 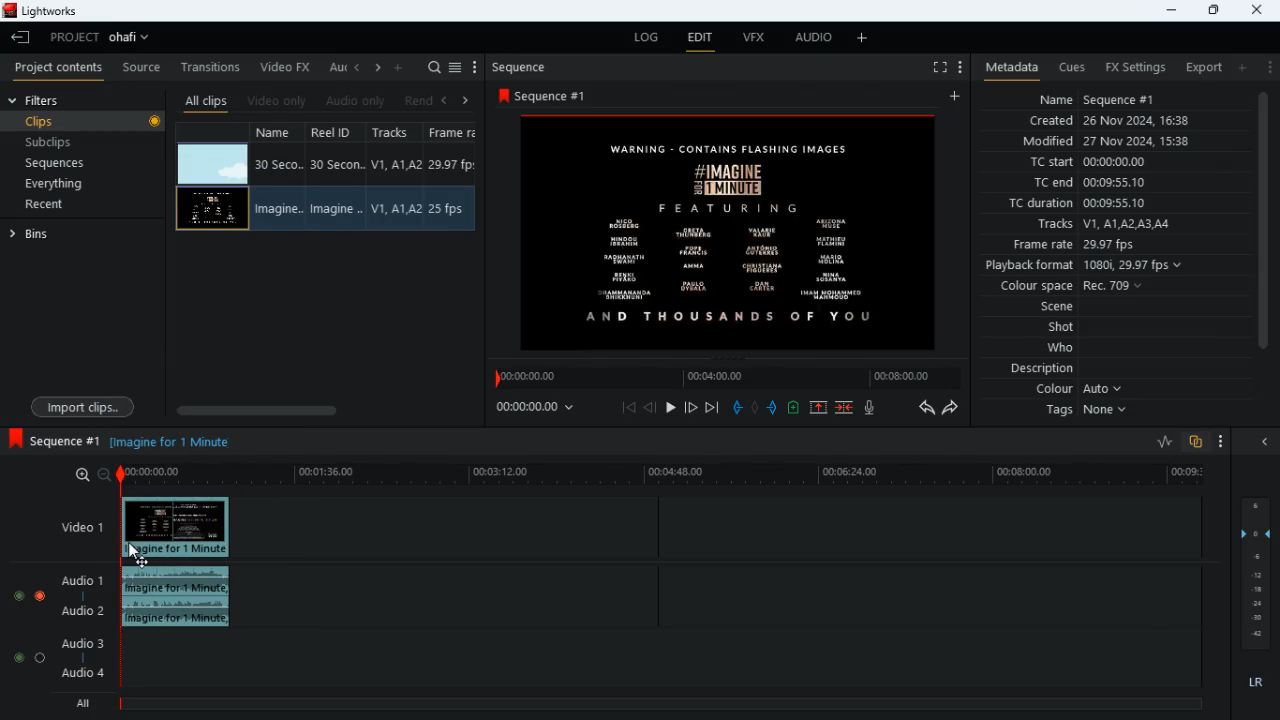 What do you see at coordinates (29, 659) in the screenshot?
I see `audio selection buttons` at bounding box center [29, 659].